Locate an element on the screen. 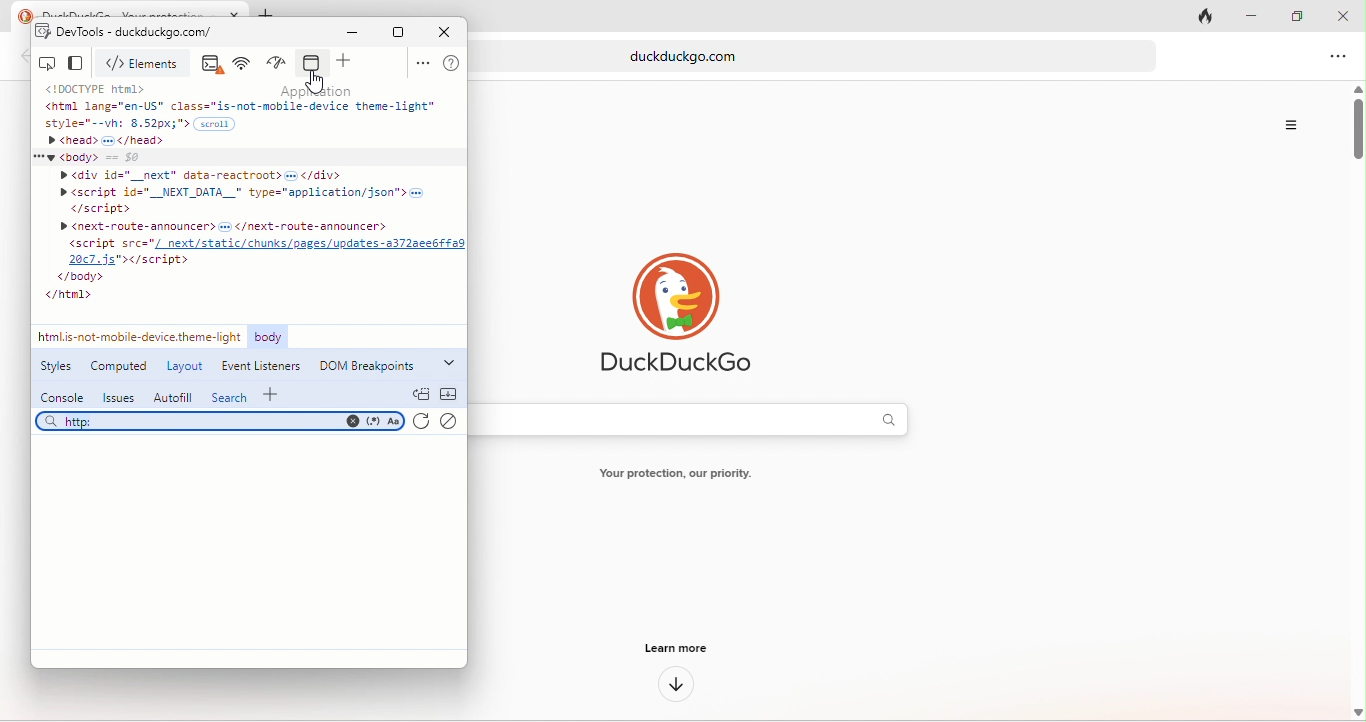  doc quick view is located at coordinates (421, 395).